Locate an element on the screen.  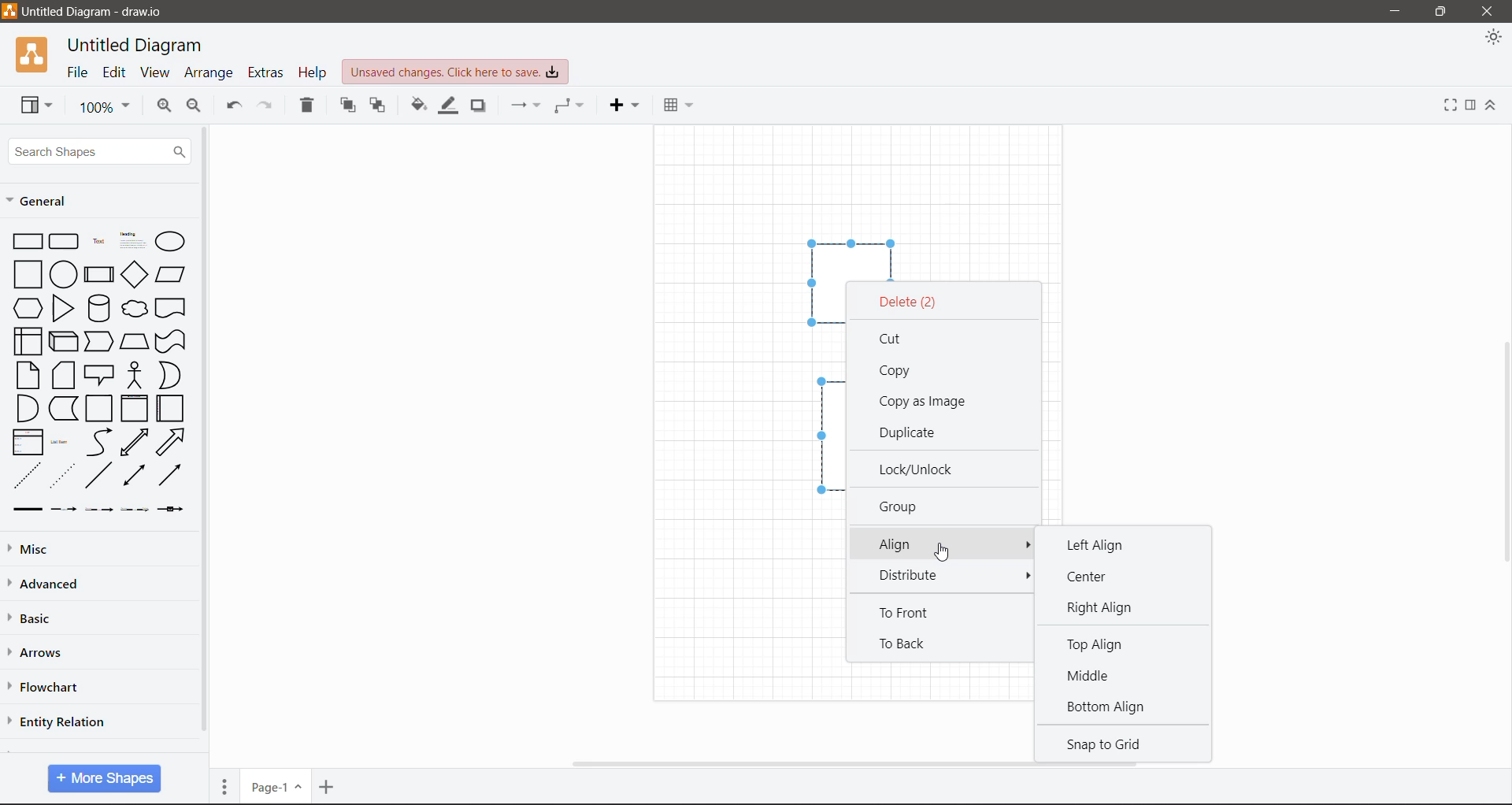
More Shapes is located at coordinates (104, 778).